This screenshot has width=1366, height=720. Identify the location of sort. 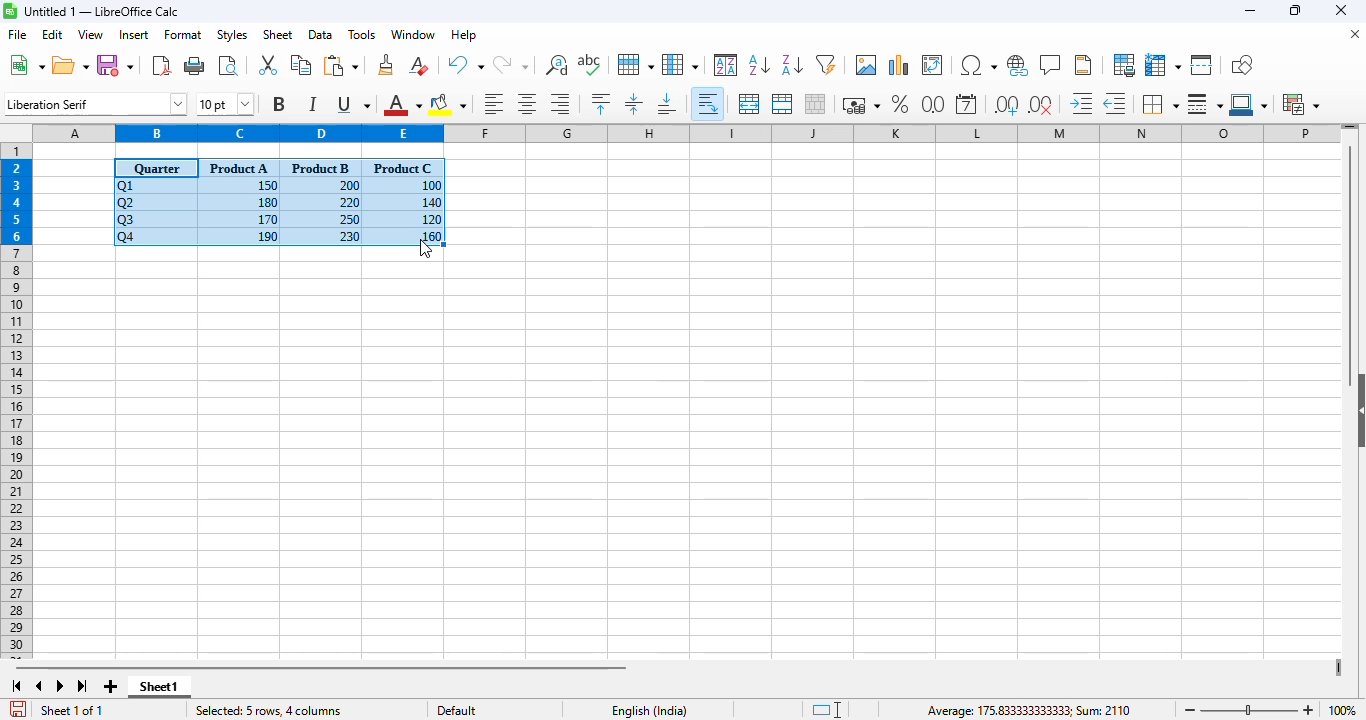
(726, 65).